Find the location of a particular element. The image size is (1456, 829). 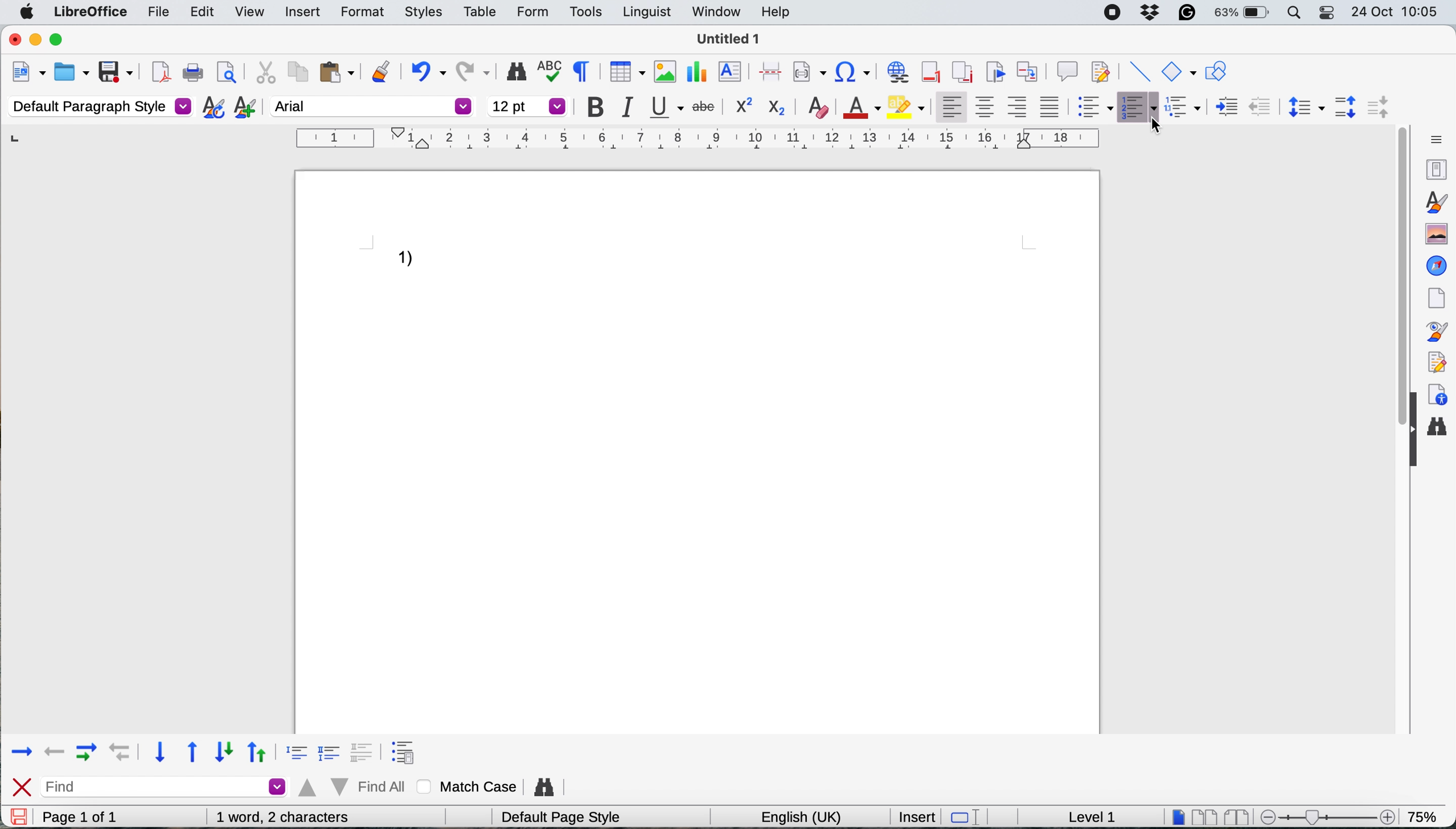

cut is located at coordinates (265, 72).